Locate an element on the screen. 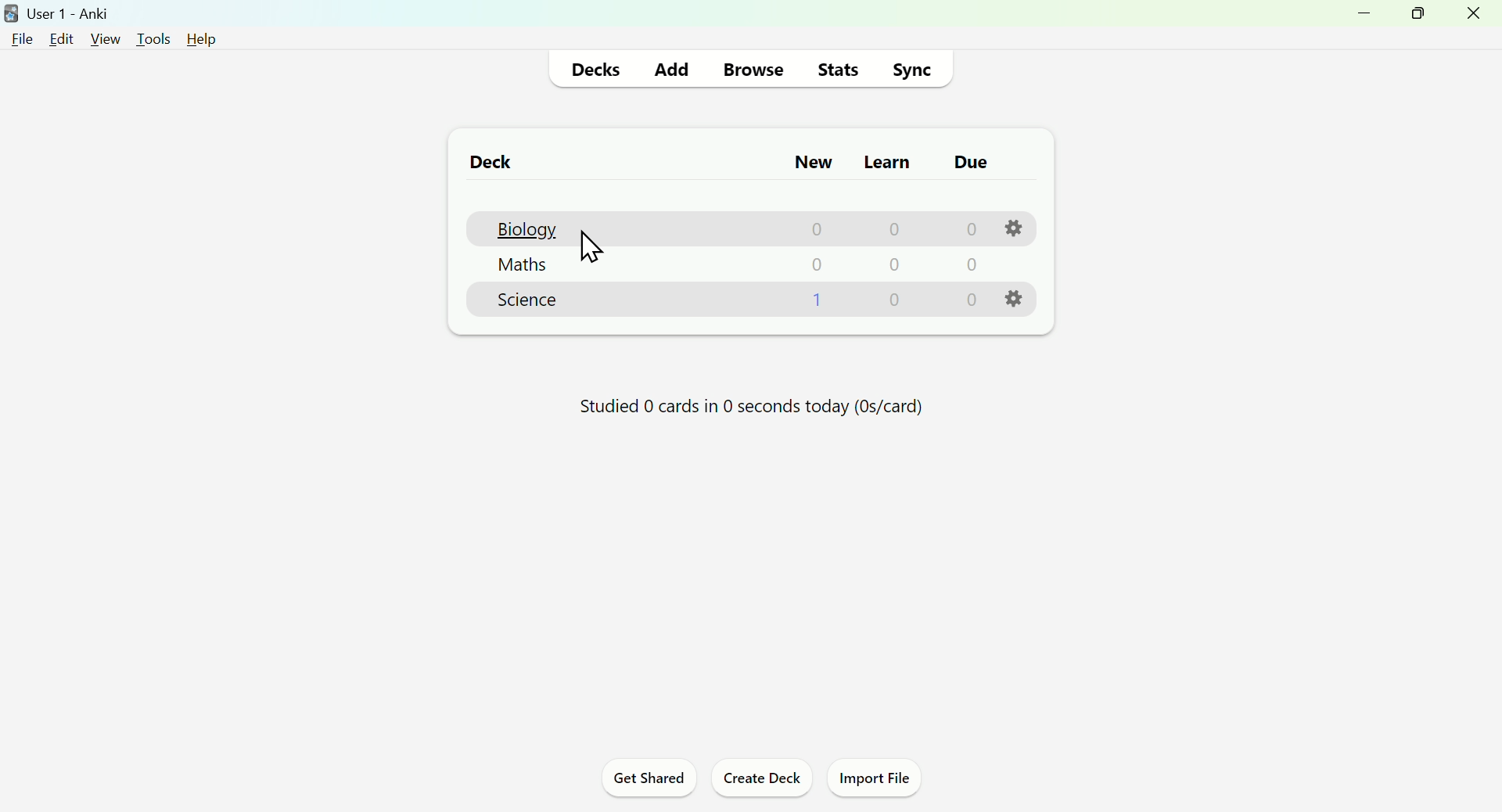 The width and height of the screenshot is (1502, 812). Browse is located at coordinates (749, 71).